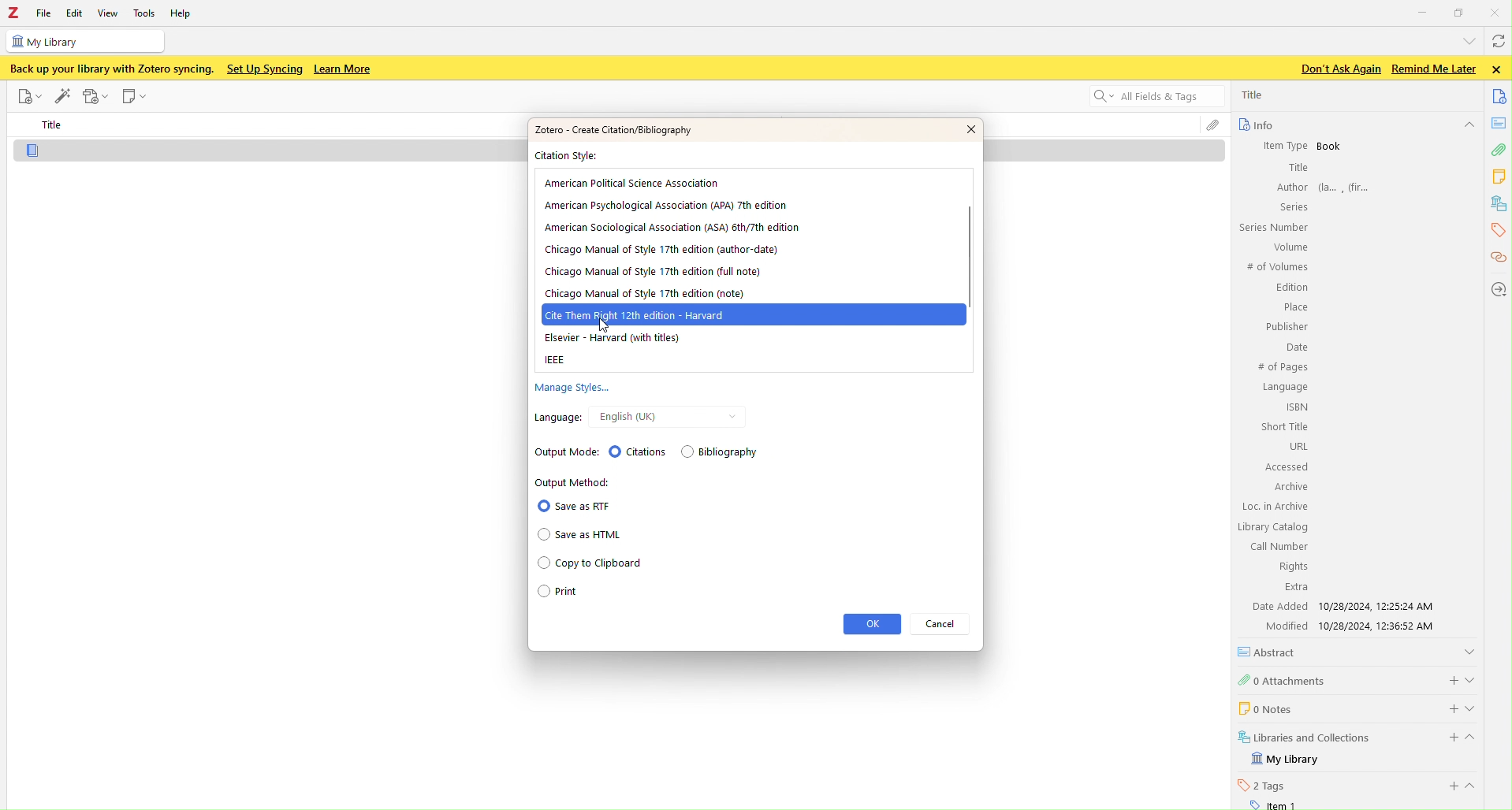  Describe the element at coordinates (1276, 267) in the screenshot. I see `# of Volumes` at that location.